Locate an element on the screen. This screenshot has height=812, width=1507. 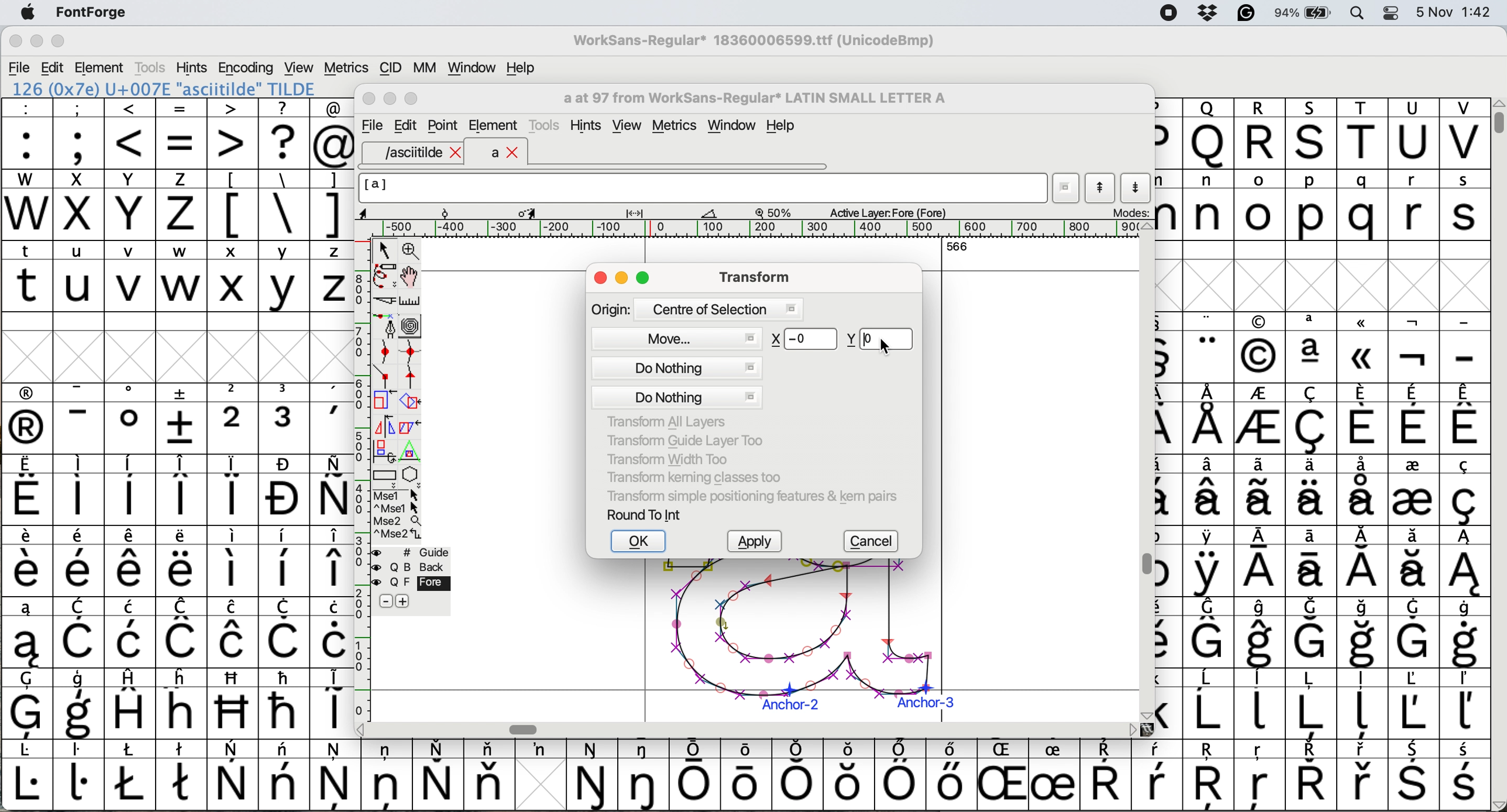
add a comer point is located at coordinates (386, 376).